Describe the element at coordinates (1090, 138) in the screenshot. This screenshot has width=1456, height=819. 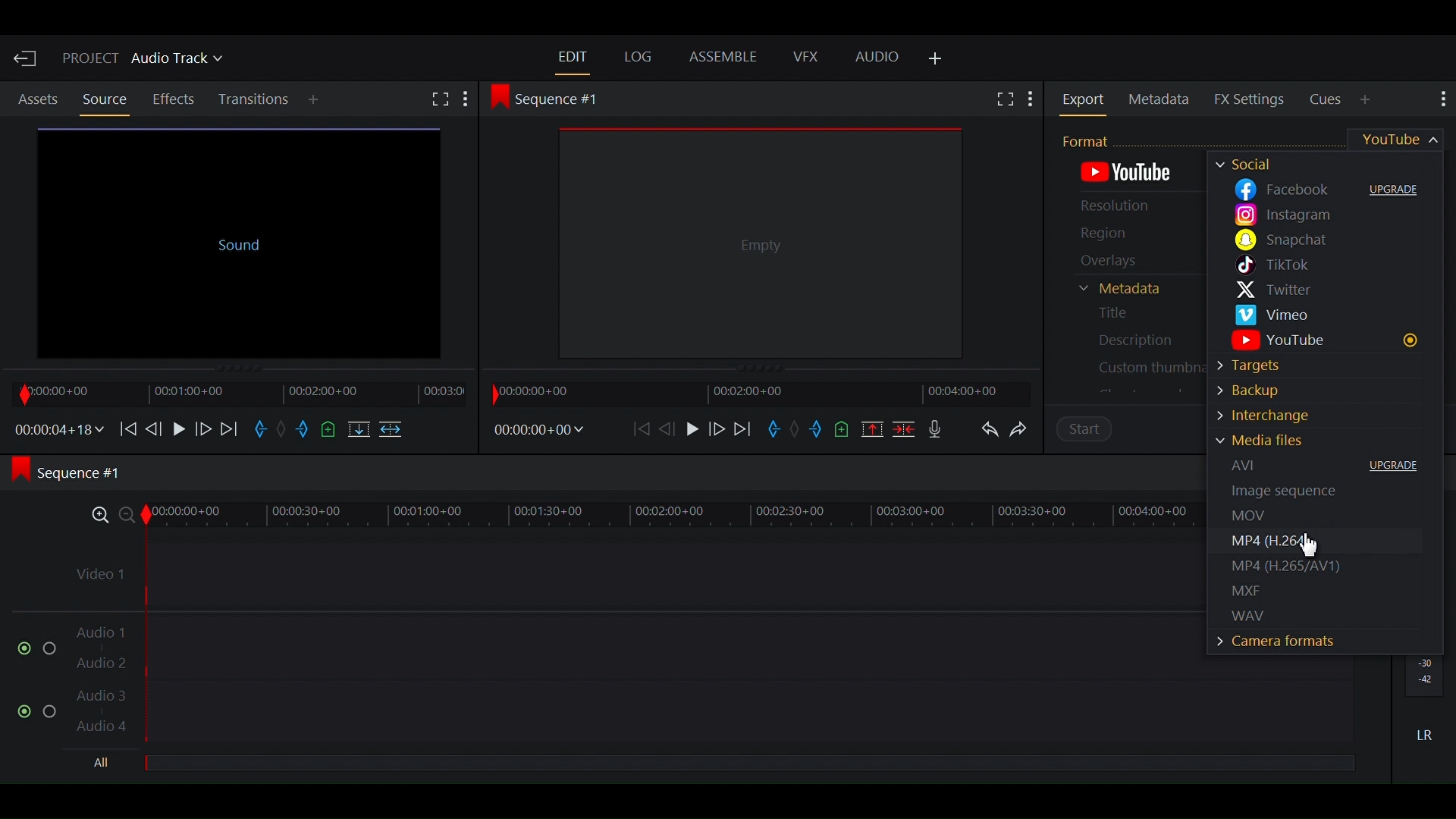
I see `Format` at that location.